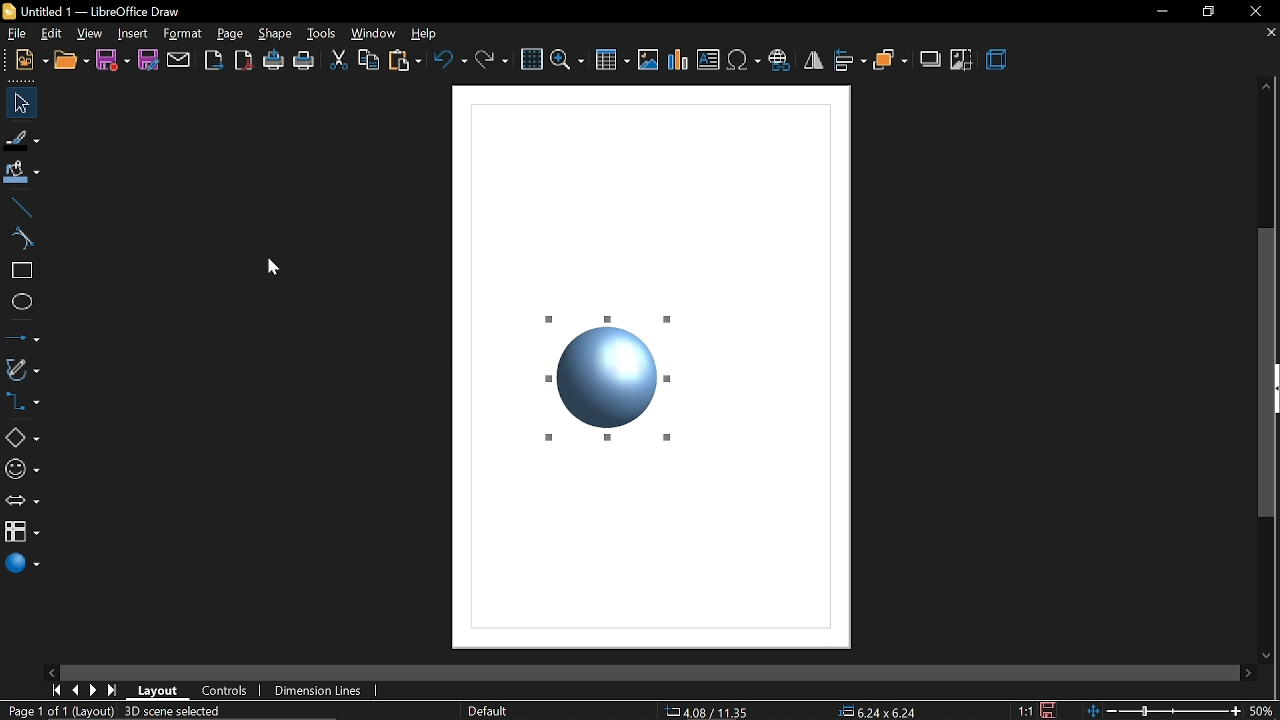 The image size is (1280, 720). Describe the element at coordinates (338, 58) in the screenshot. I see `cut` at that location.